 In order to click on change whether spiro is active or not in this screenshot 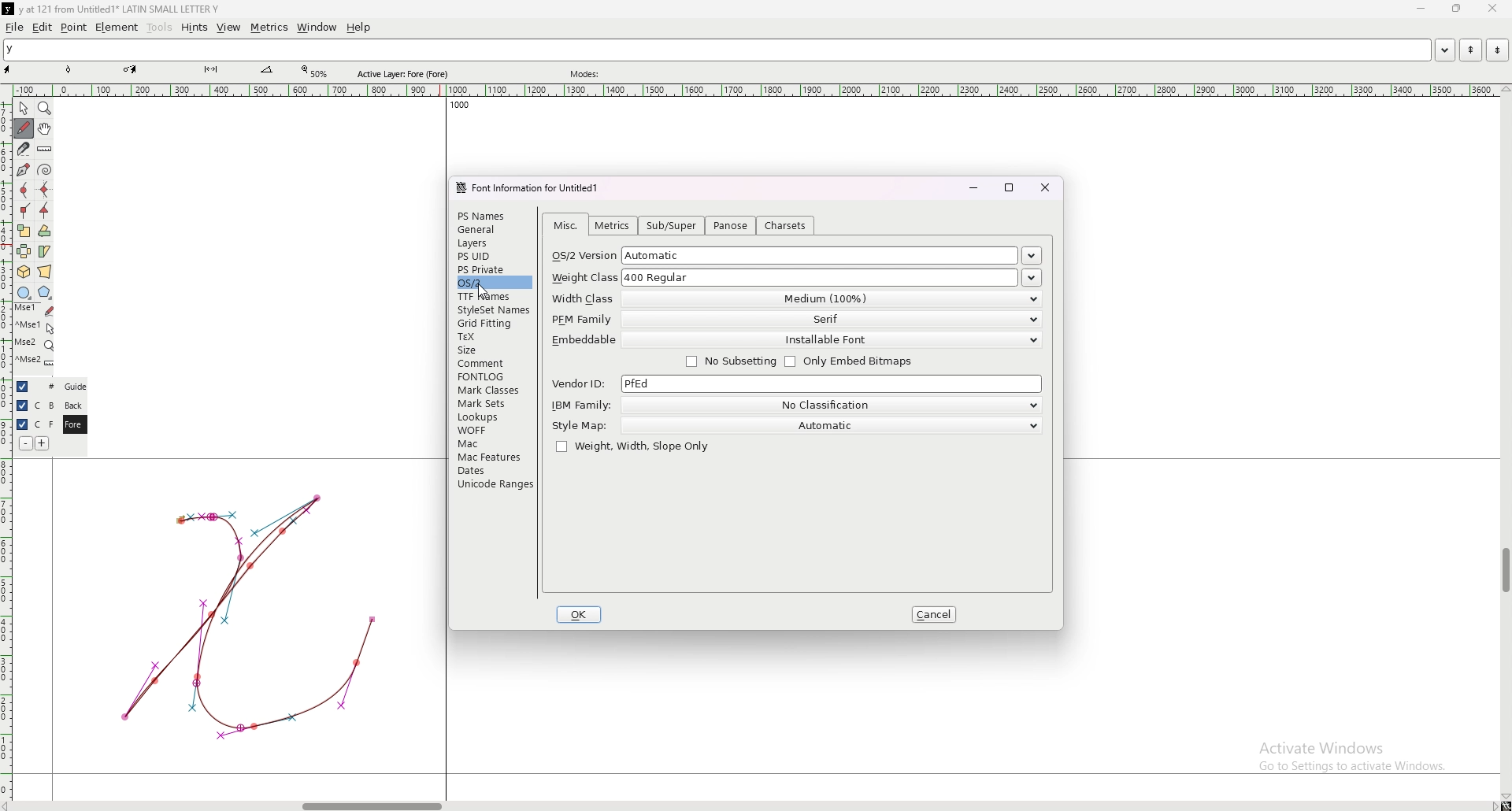, I will do `click(45, 169)`.